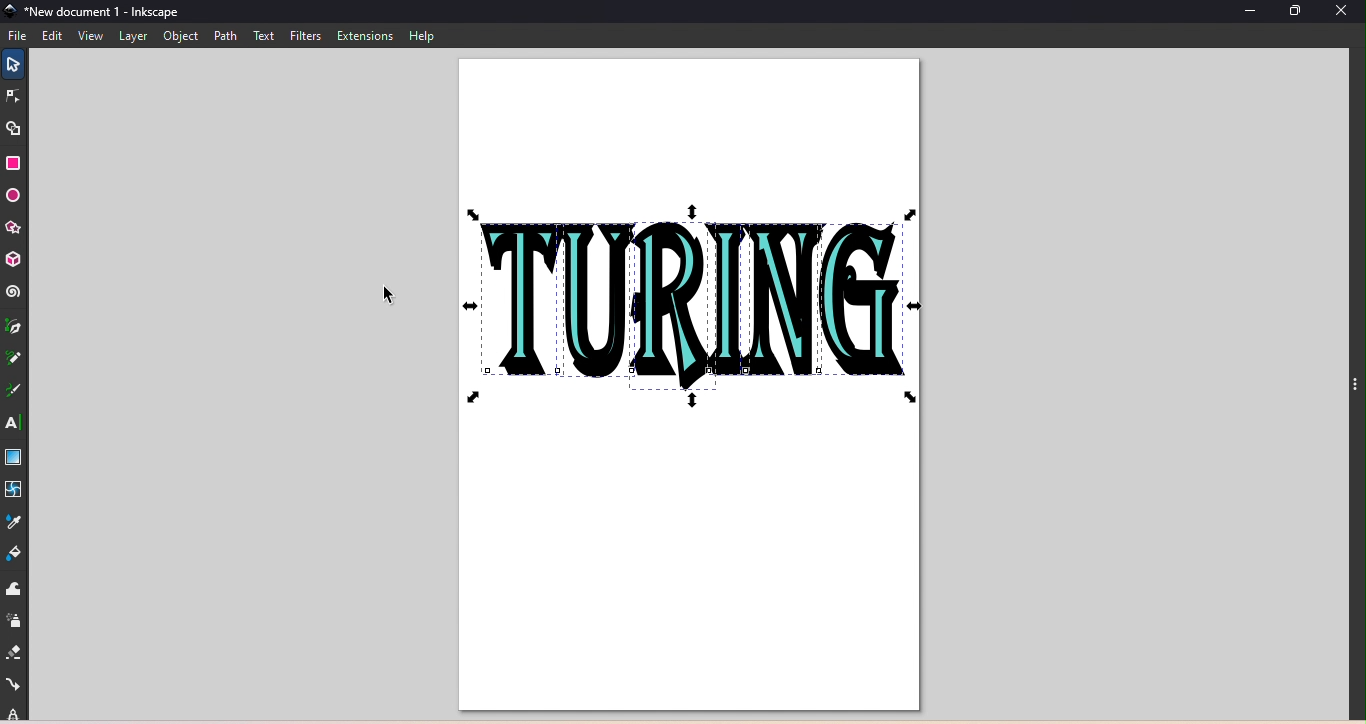 This screenshot has width=1366, height=724. What do you see at coordinates (19, 35) in the screenshot?
I see `File` at bounding box center [19, 35].